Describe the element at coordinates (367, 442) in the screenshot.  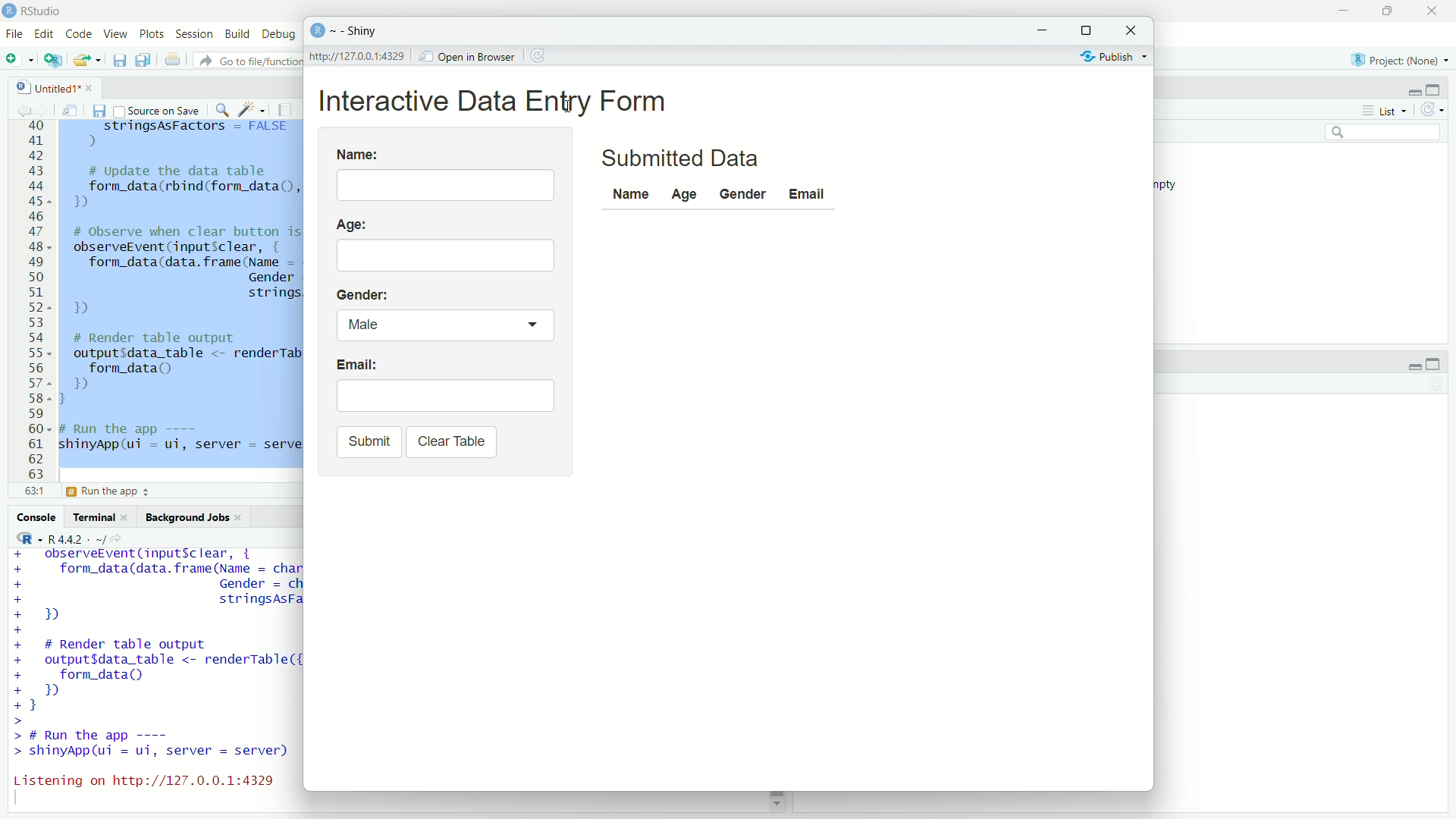
I see `Submit` at that location.